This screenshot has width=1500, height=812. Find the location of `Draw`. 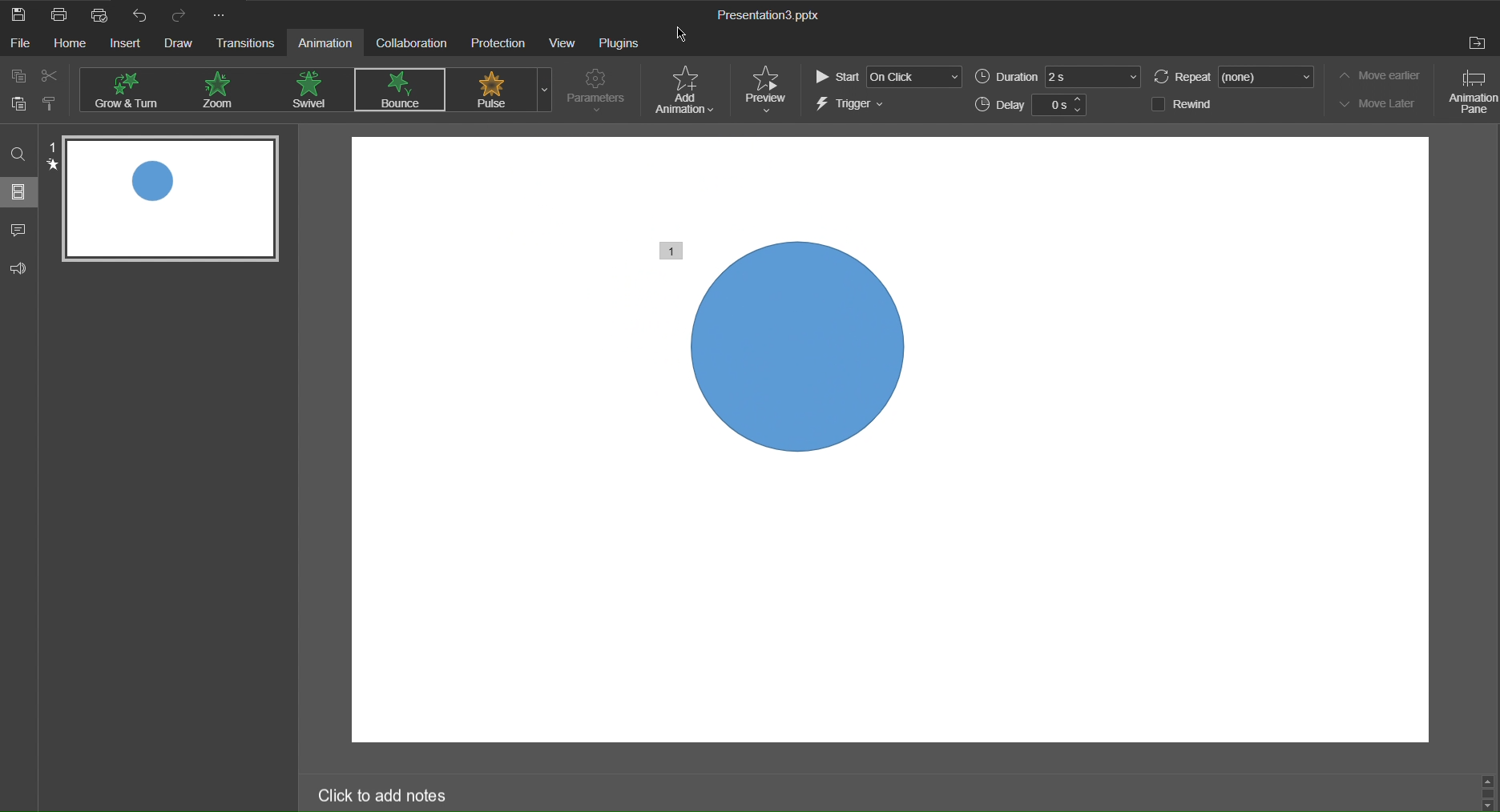

Draw is located at coordinates (182, 45).